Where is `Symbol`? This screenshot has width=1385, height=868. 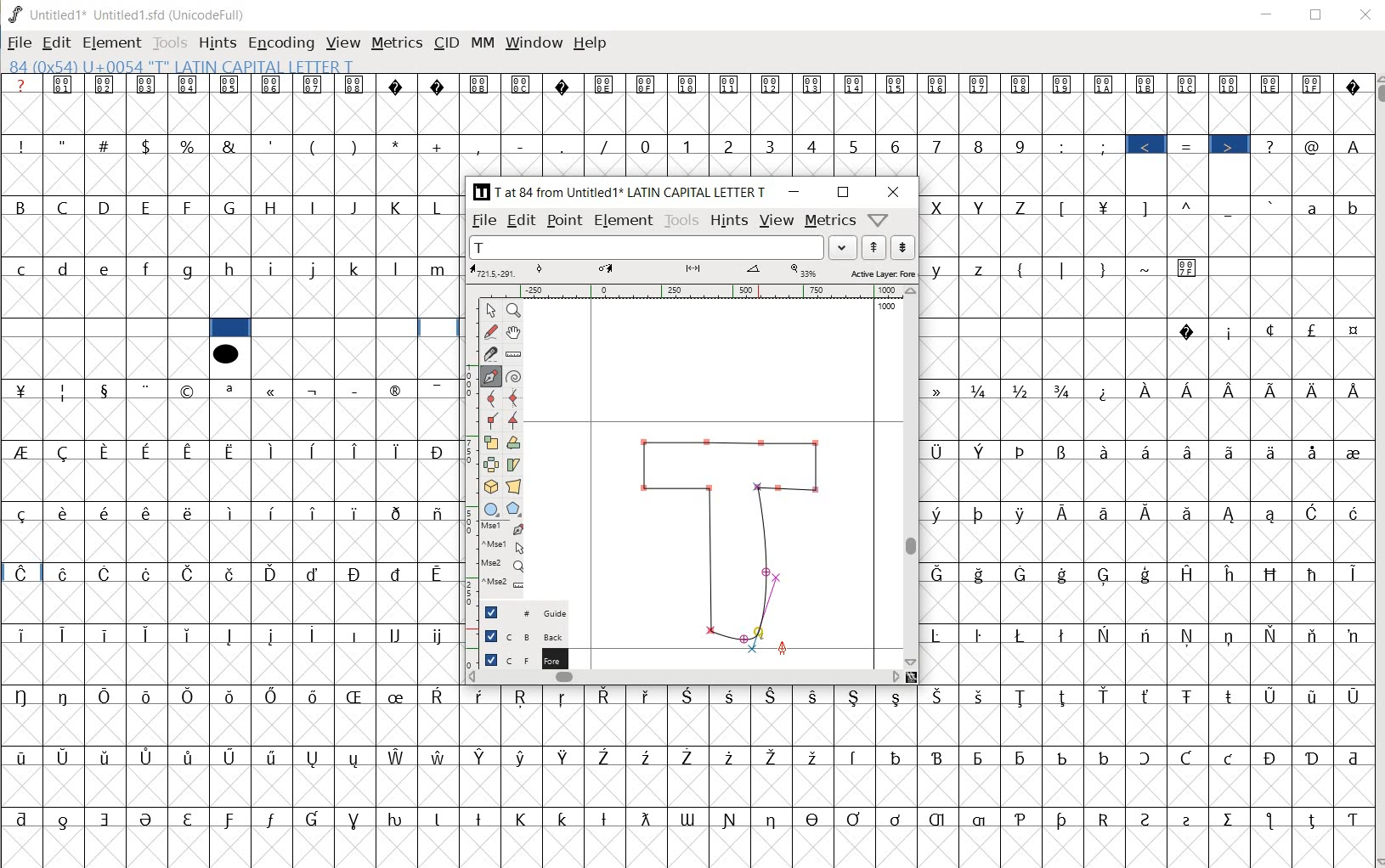
Symbol is located at coordinates (565, 816).